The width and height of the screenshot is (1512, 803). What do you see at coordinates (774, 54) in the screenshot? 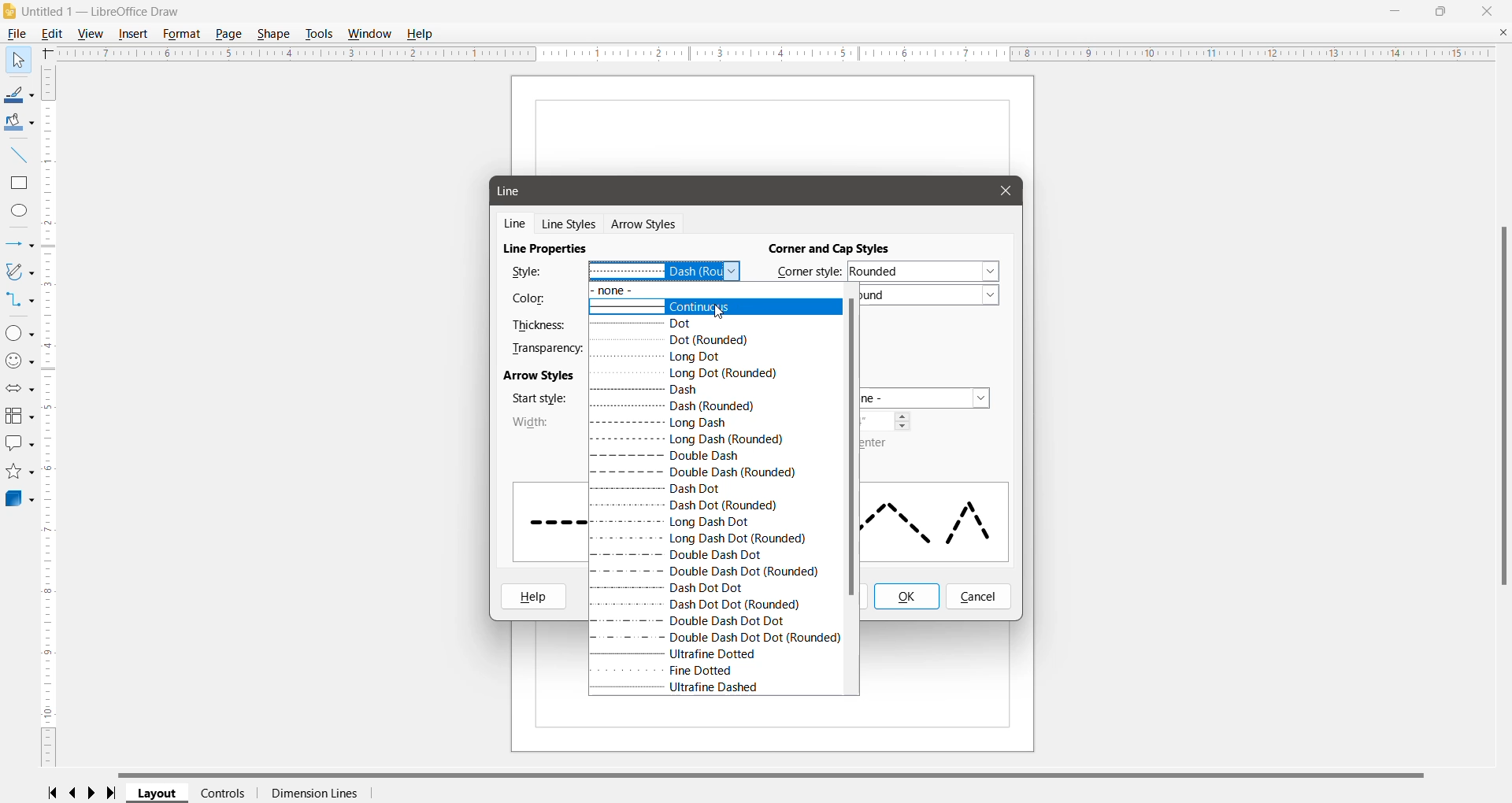
I see `Horizontal Ruler` at bounding box center [774, 54].